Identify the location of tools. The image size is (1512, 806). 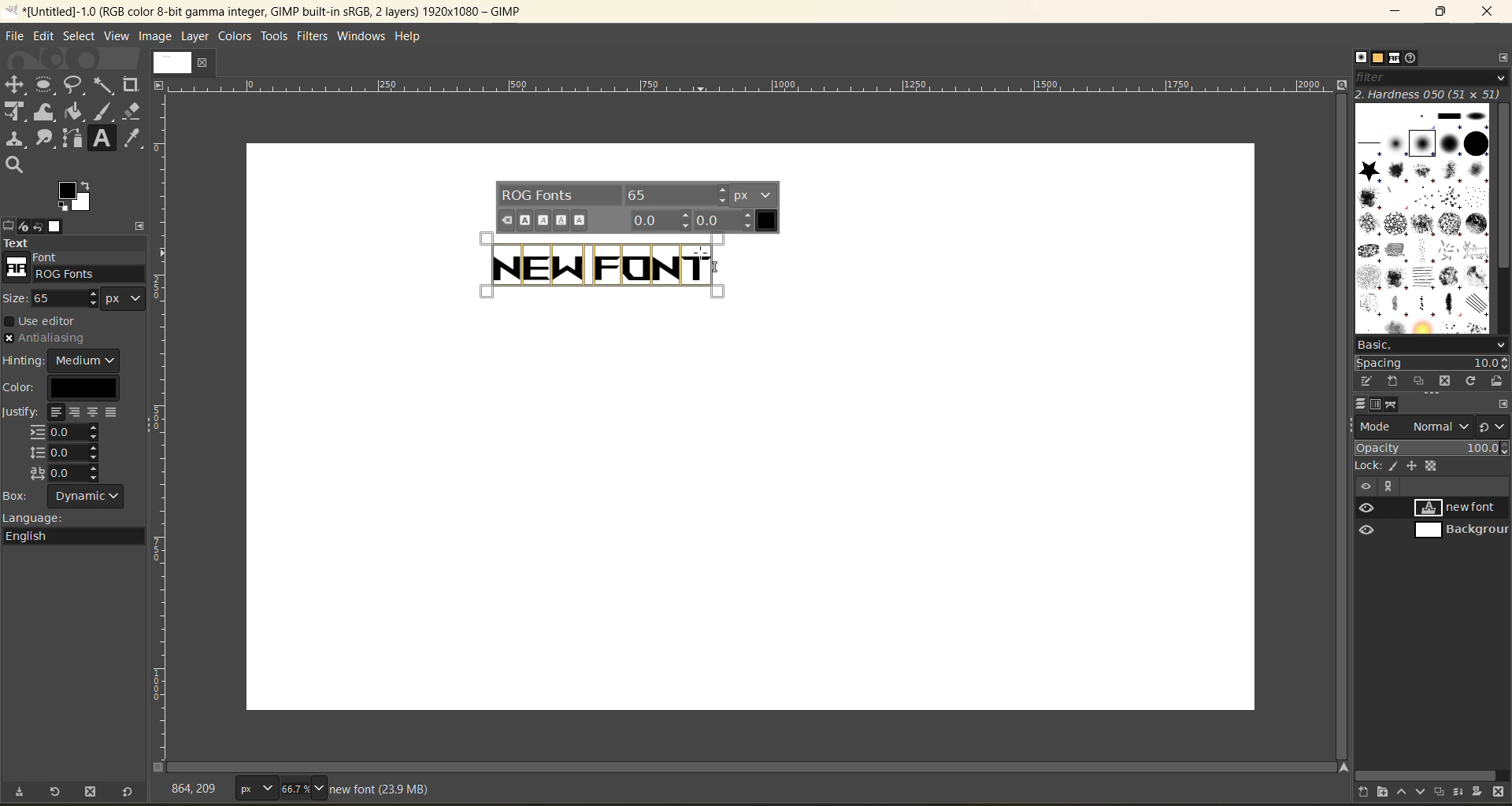
(274, 36).